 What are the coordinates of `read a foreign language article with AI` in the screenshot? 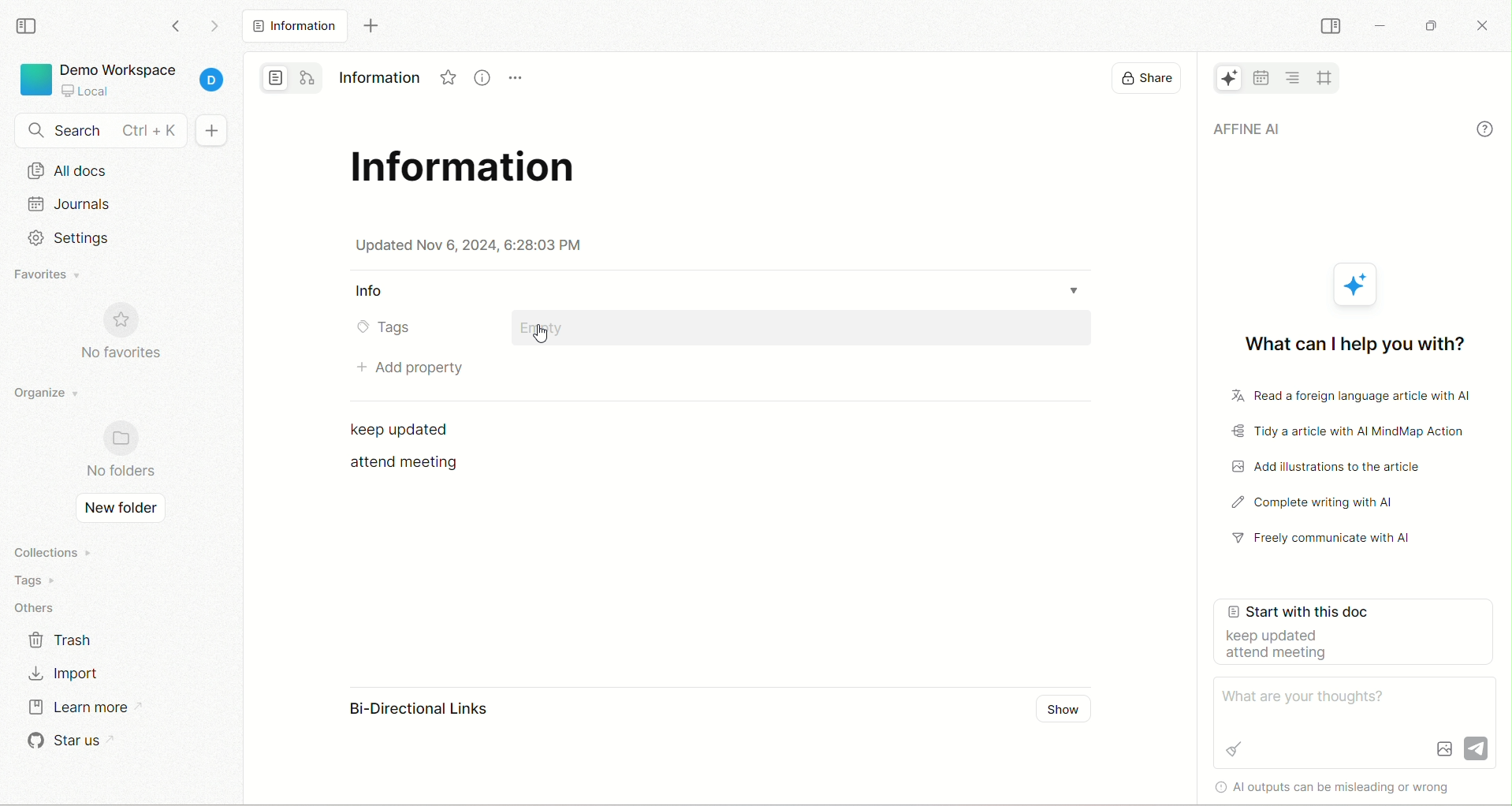 It's located at (1348, 397).